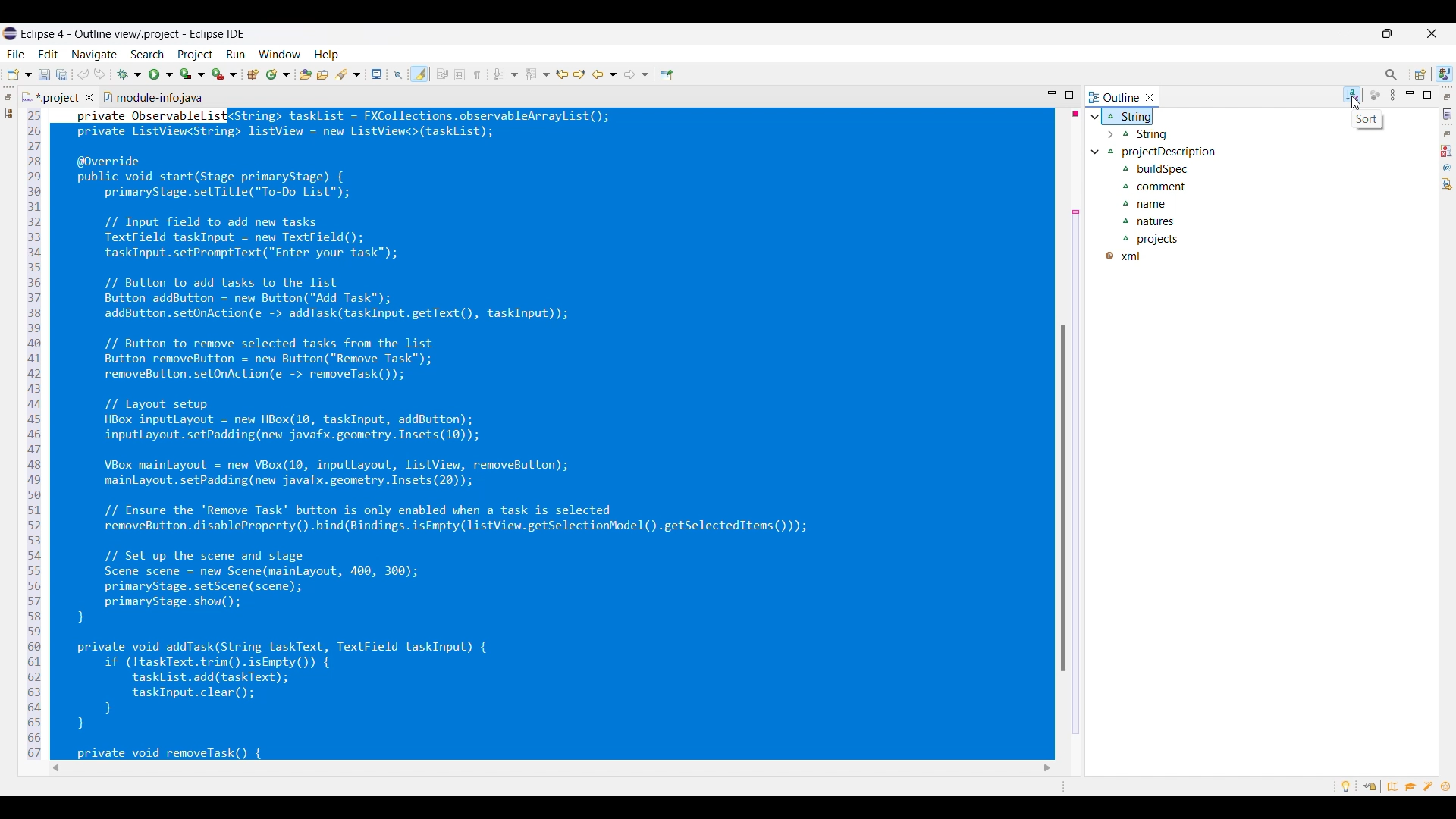  What do you see at coordinates (253, 74) in the screenshot?
I see `New Java package` at bounding box center [253, 74].